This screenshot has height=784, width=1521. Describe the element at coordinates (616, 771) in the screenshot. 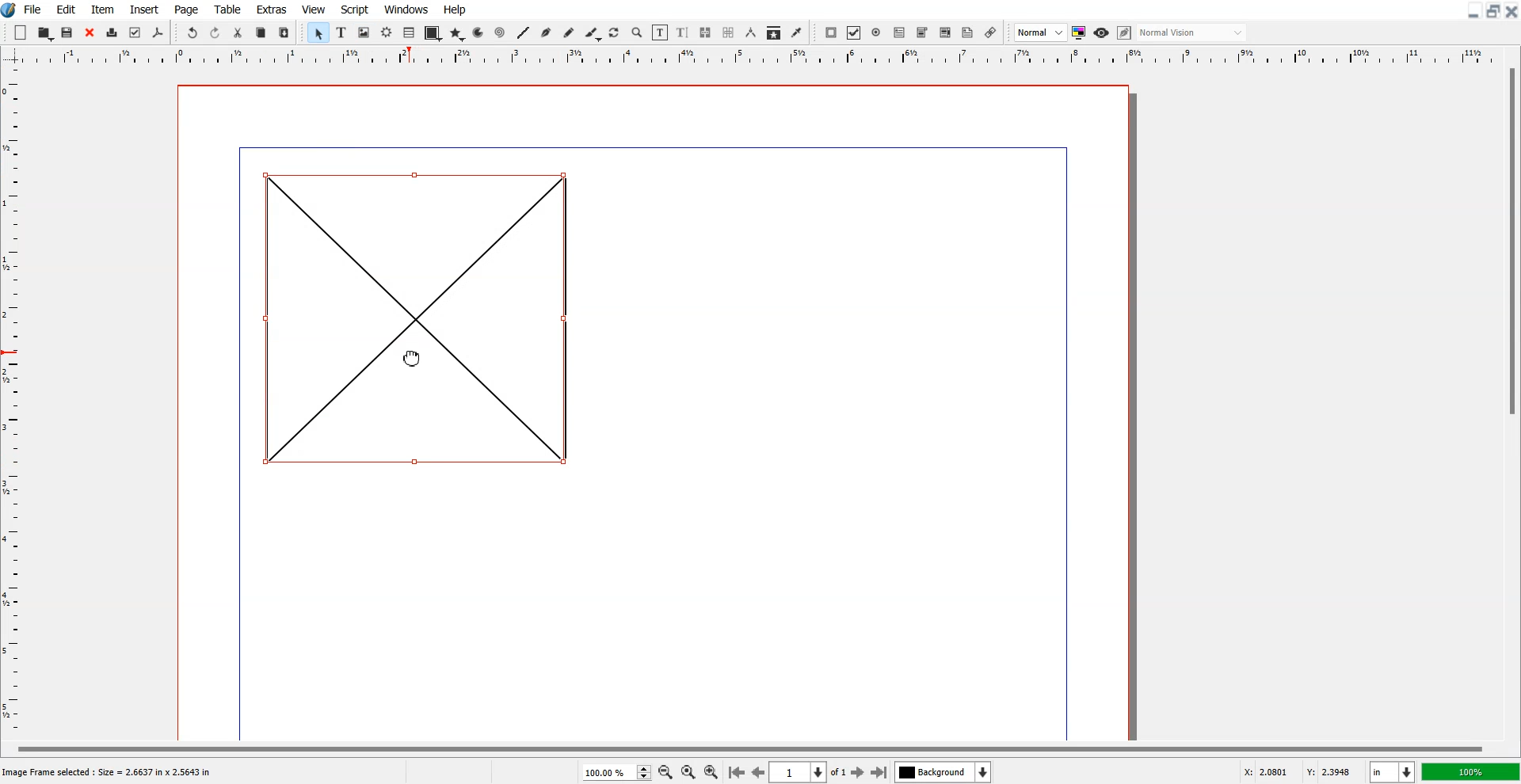

I see `Select Zoom Level` at that location.